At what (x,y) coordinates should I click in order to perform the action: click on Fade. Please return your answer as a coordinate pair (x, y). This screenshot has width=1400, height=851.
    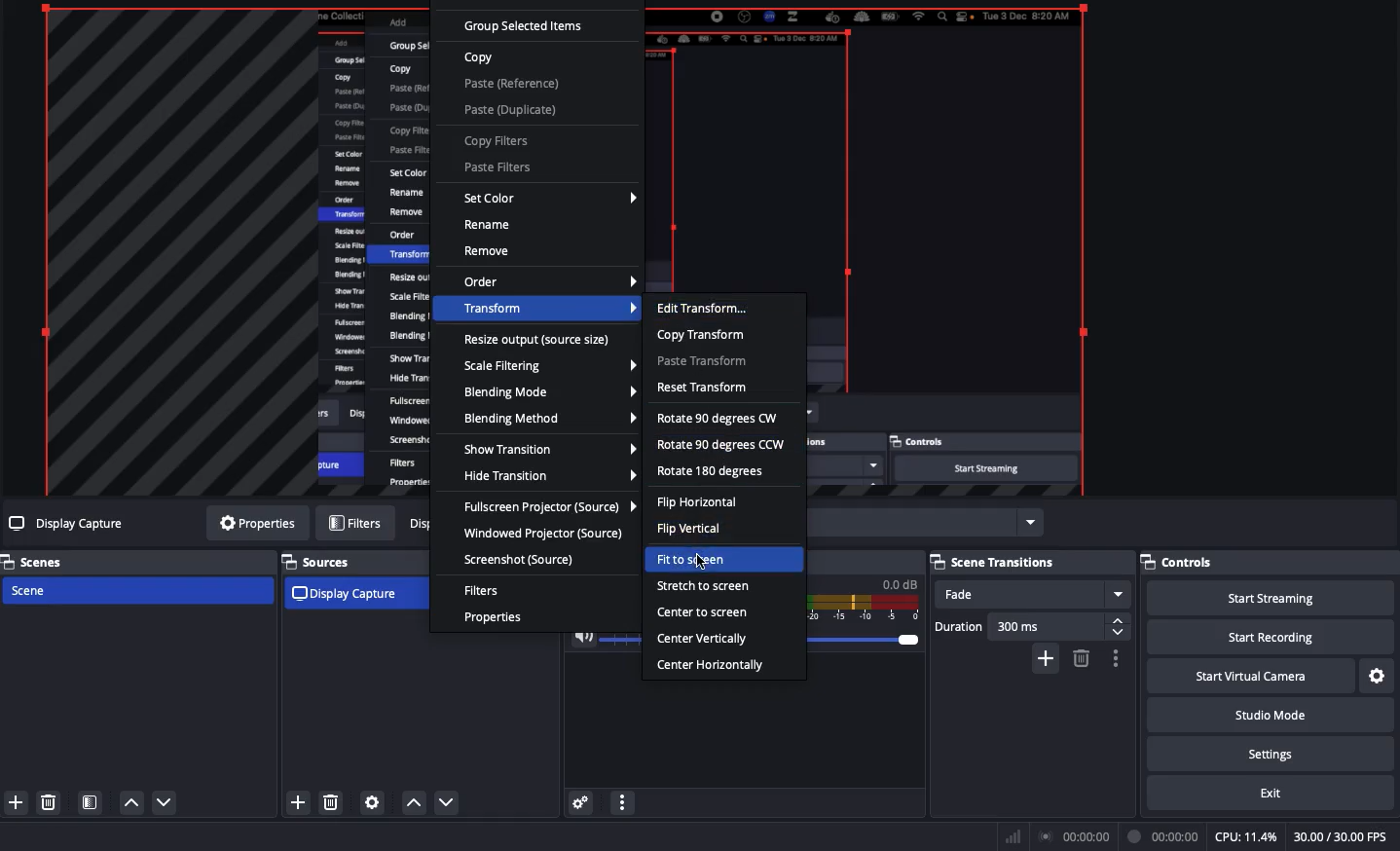
    Looking at the image, I should click on (1034, 596).